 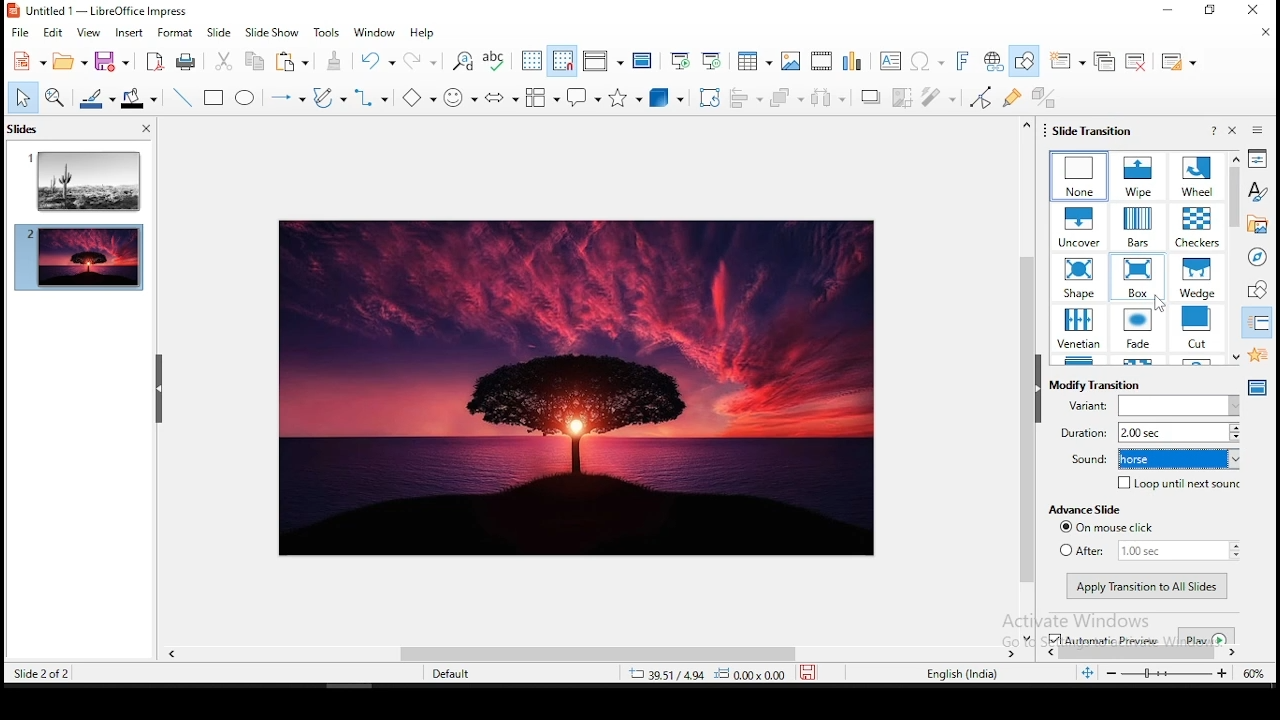 I want to click on edit, so click(x=55, y=34).